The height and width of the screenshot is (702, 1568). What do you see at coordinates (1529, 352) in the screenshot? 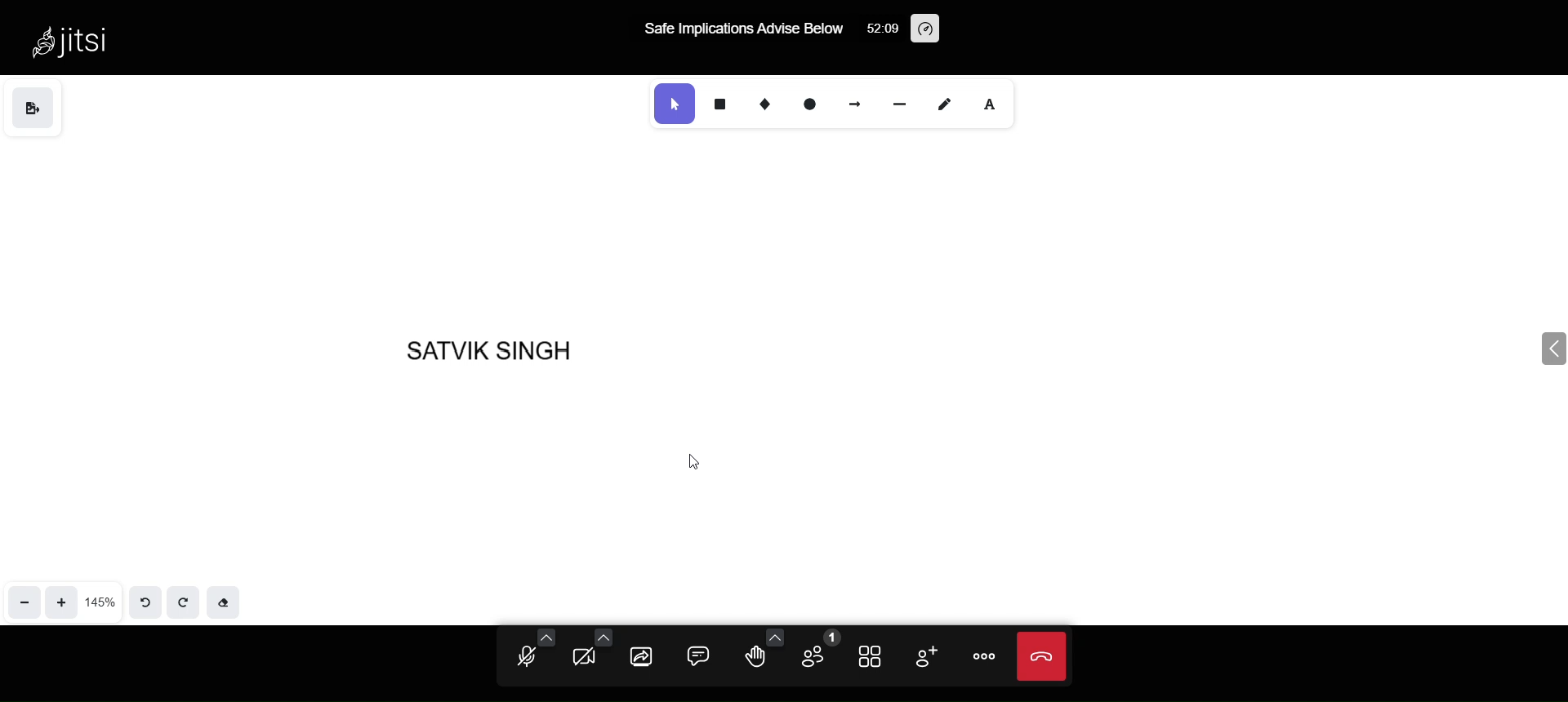
I see `expand` at bounding box center [1529, 352].